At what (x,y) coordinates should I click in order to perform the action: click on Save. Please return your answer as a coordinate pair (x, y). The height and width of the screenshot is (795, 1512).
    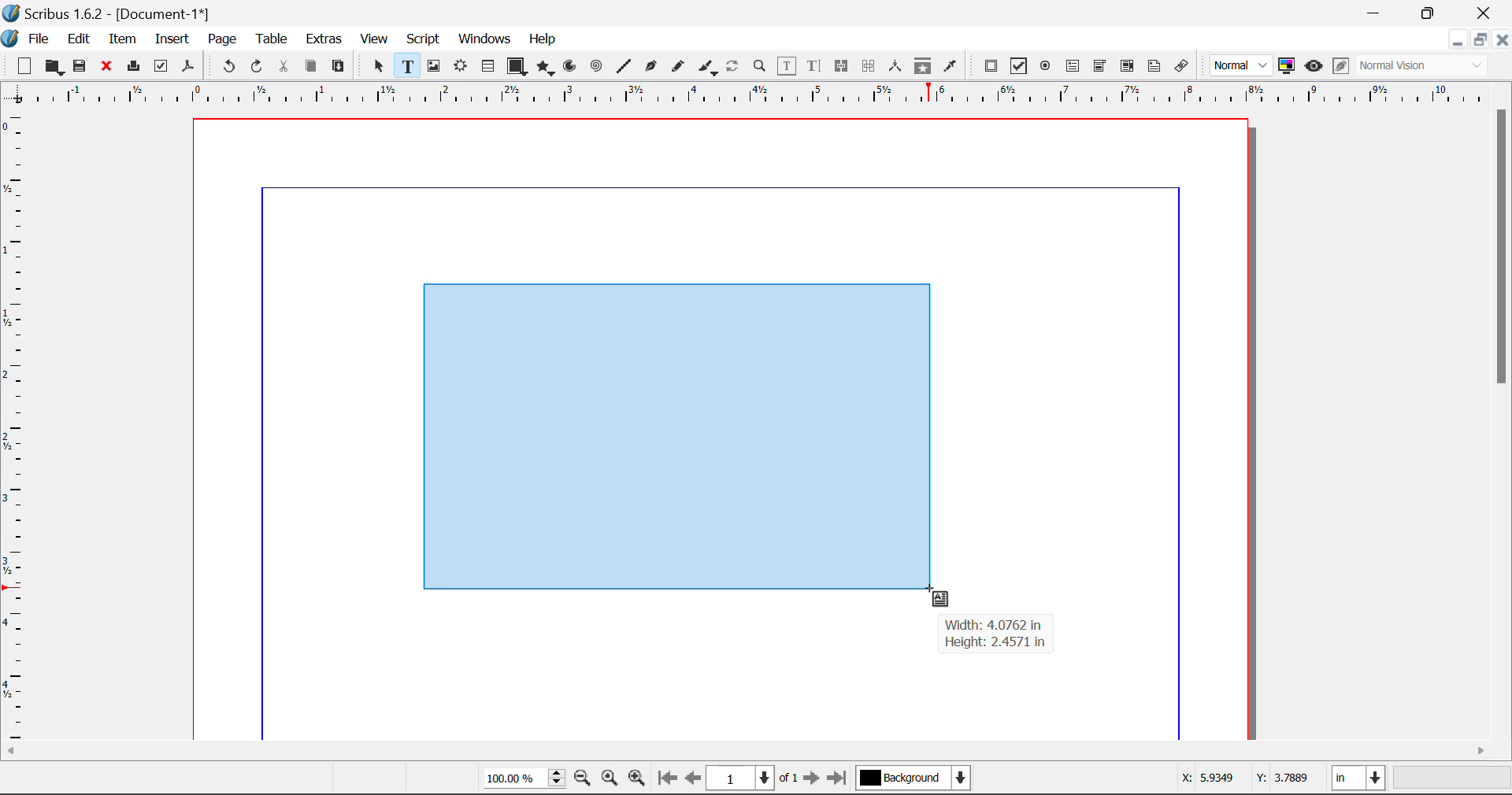
    Looking at the image, I should click on (81, 66).